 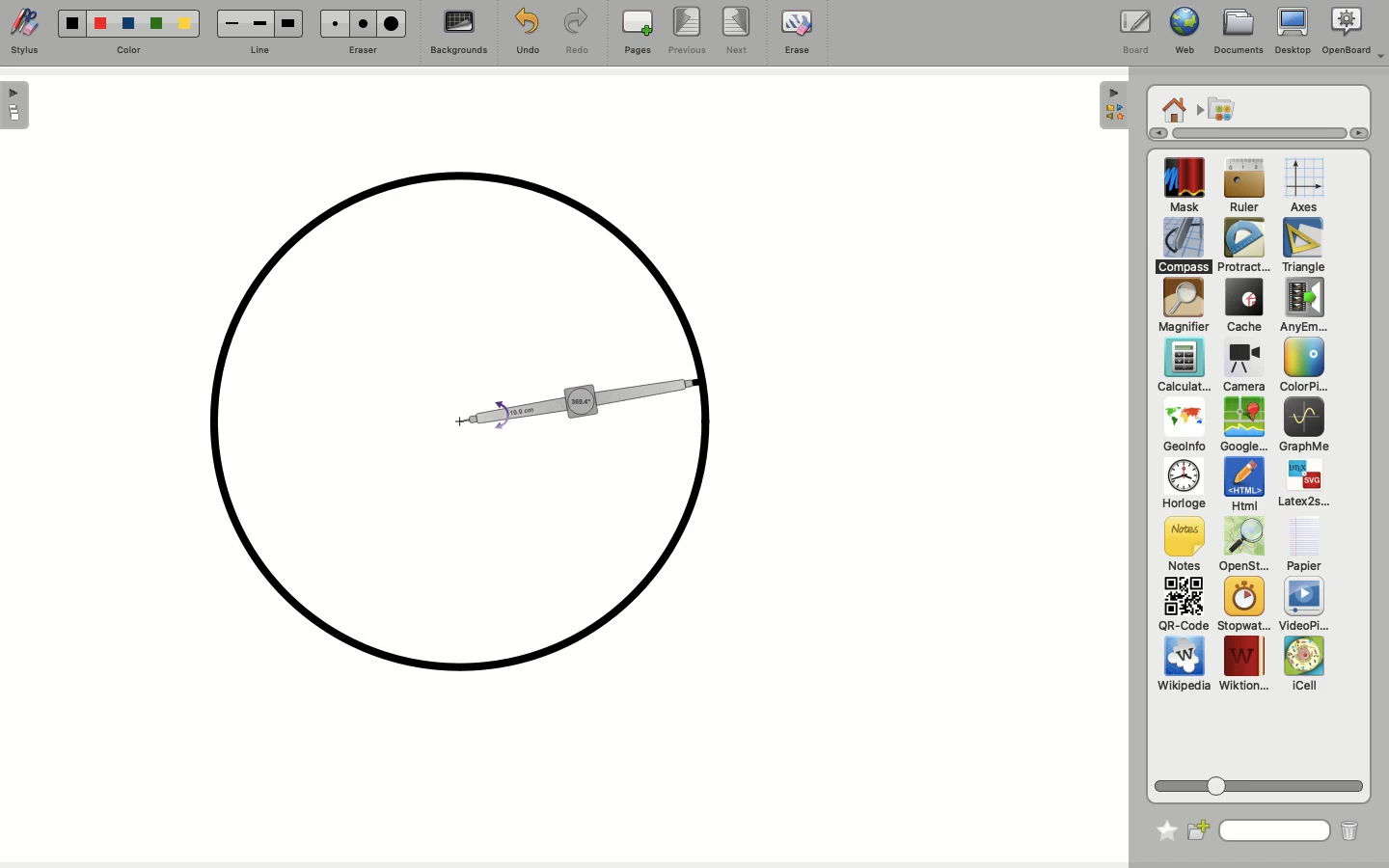 I want to click on Previous, so click(x=687, y=32).